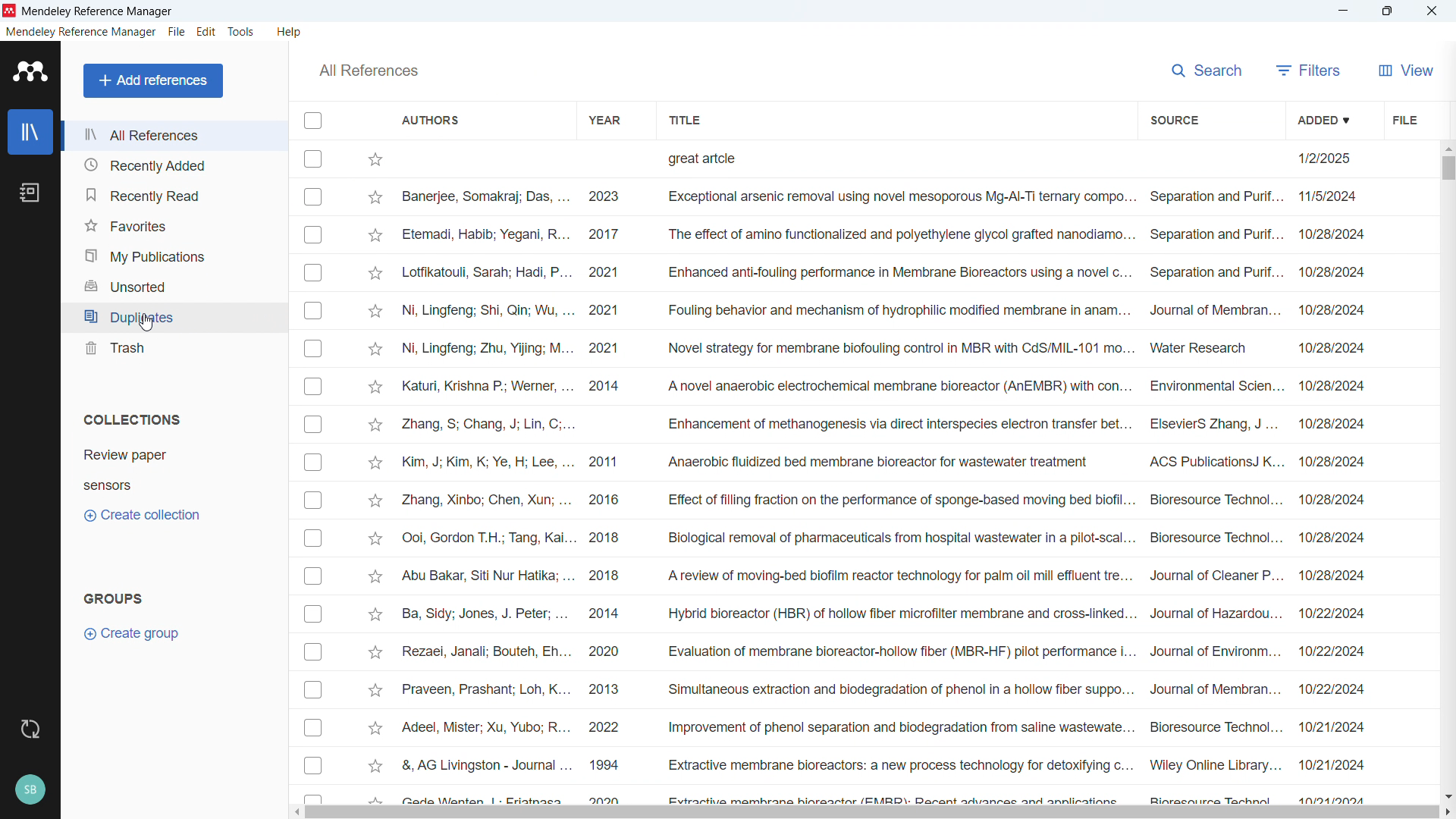 This screenshot has width=1456, height=819. What do you see at coordinates (871, 813) in the screenshot?
I see `Horizontal scroll bar ` at bounding box center [871, 813].